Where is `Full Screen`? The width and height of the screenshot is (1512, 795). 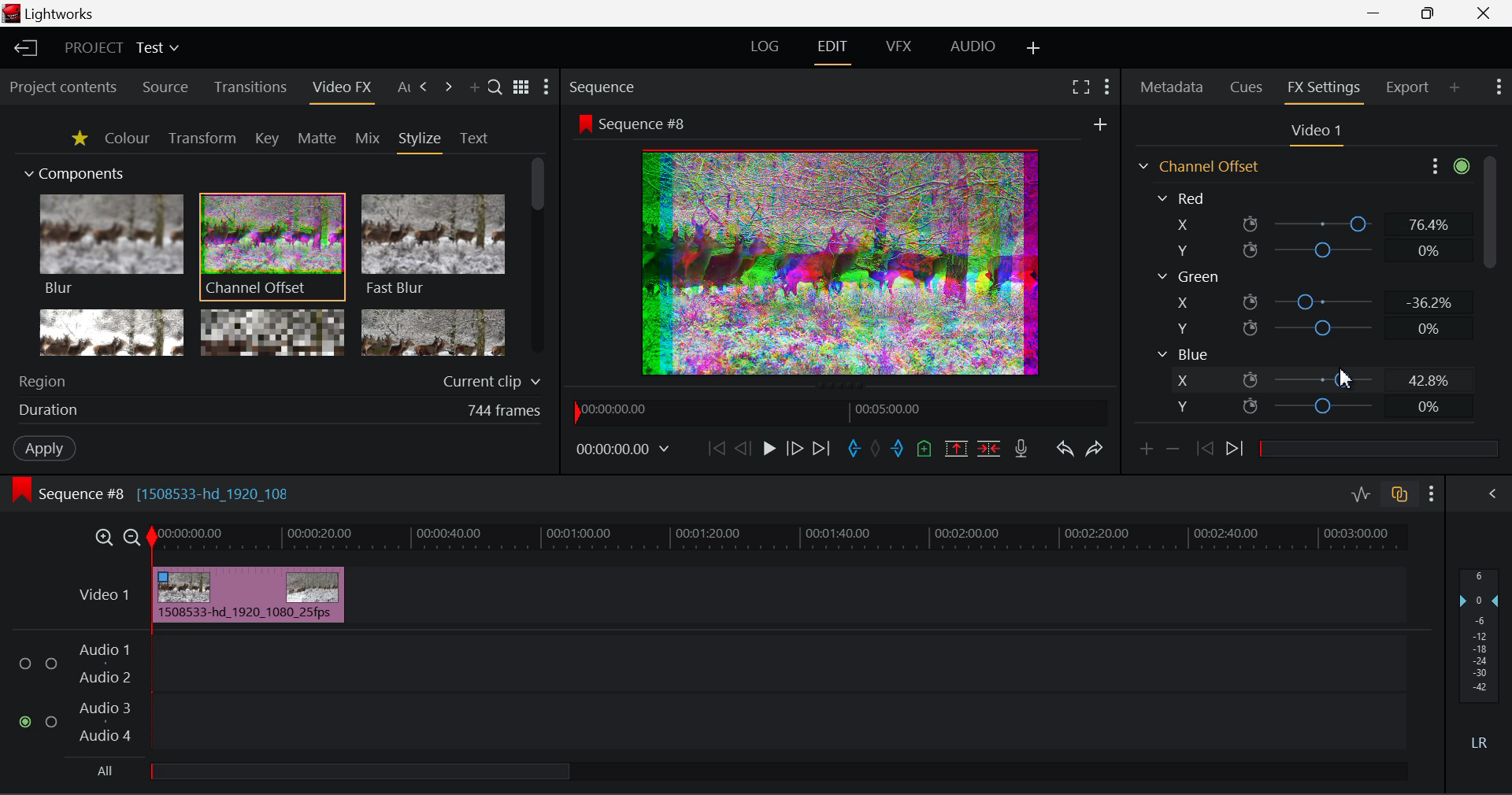
Full Screen is located at coordinates (1082, 89).